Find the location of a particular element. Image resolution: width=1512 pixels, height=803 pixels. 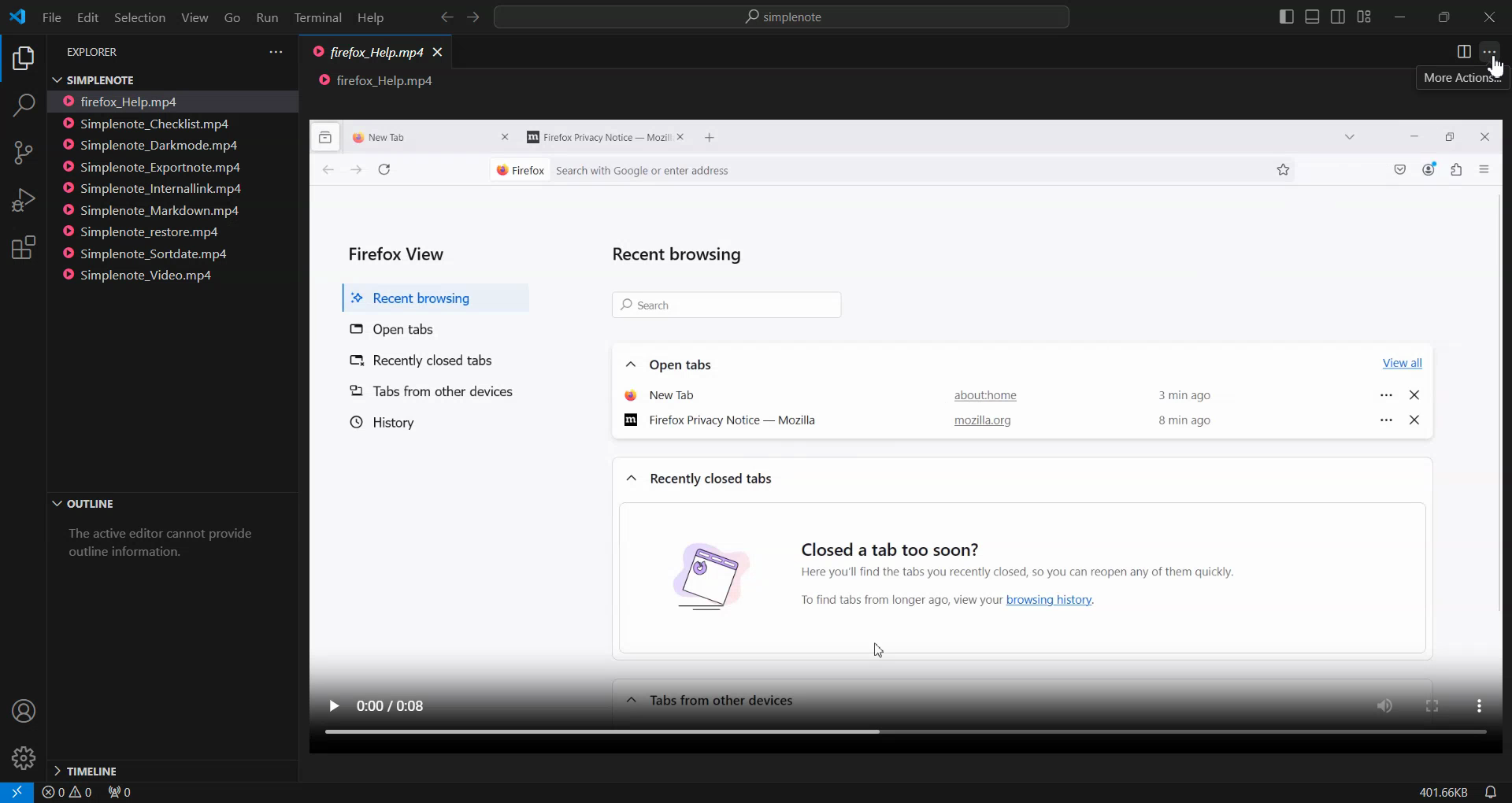

Terminal is located at coordinates (318, 19).